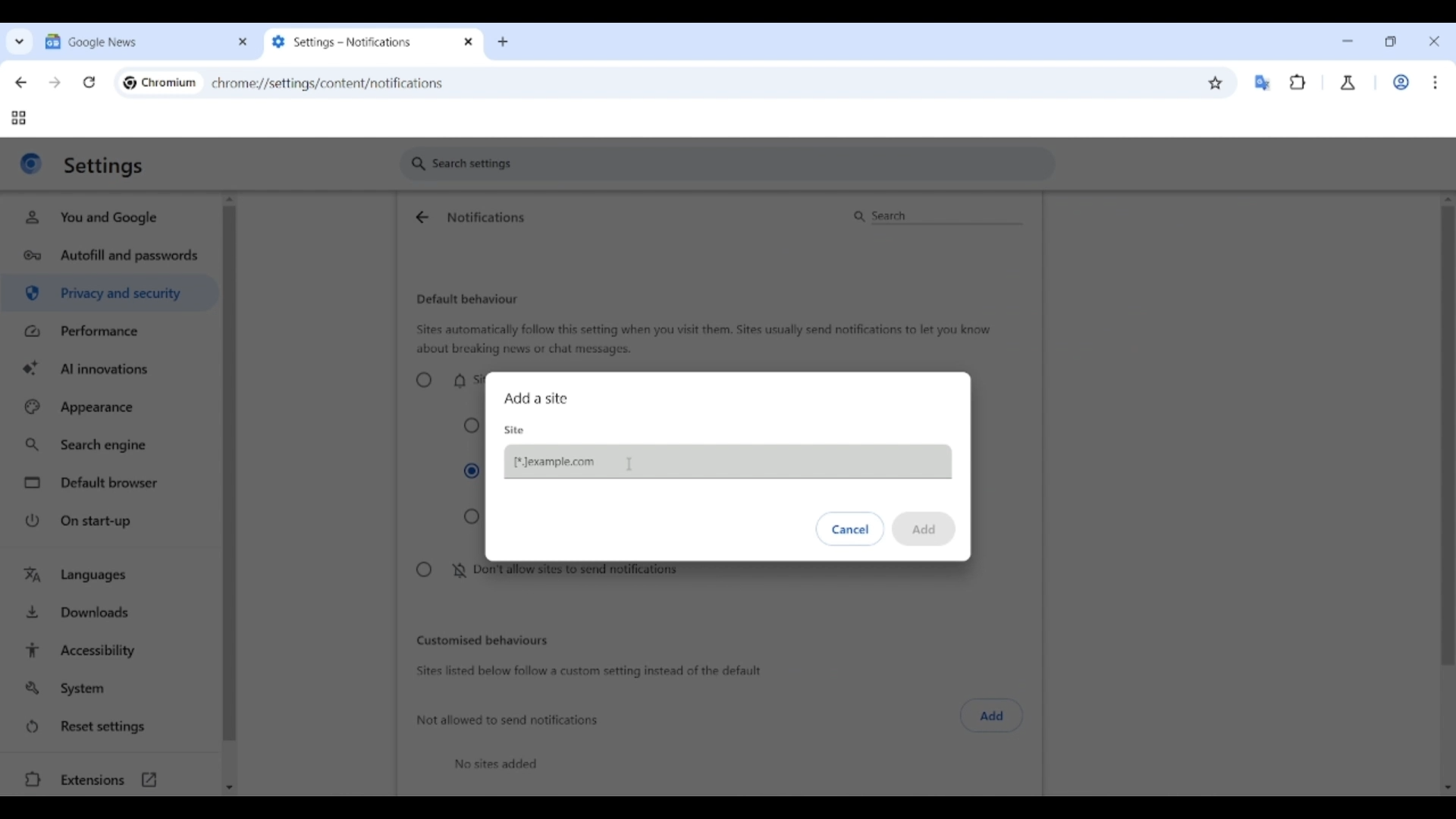  Describe the element at coordinates (361, 42) in the screenshot. I see `Tab 2` at that location.